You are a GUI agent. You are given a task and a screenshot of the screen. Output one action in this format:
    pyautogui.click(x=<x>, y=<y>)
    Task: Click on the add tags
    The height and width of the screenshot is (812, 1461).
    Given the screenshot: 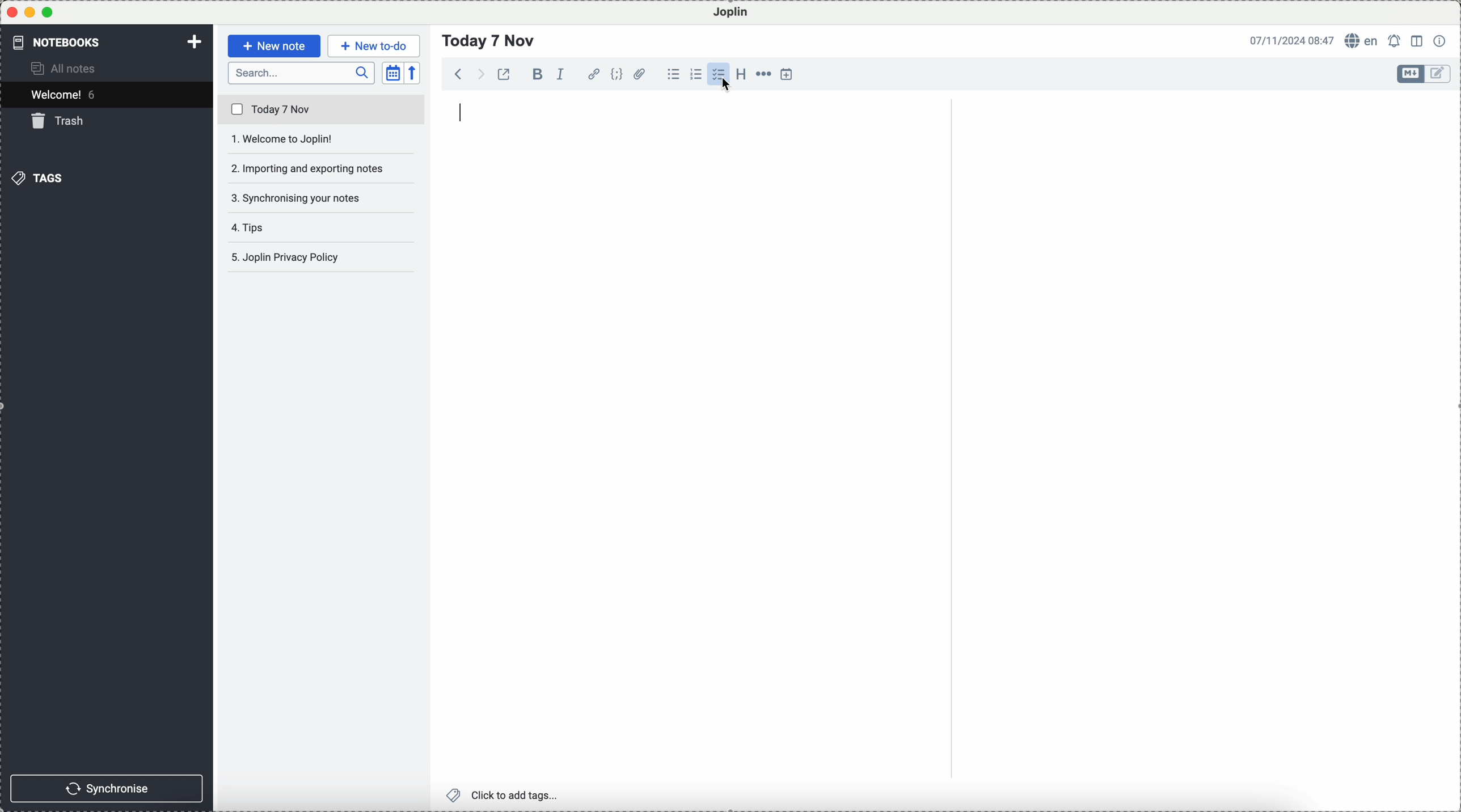 What is the action you would take?
    pyautogui.click(x=504, y=796)
    